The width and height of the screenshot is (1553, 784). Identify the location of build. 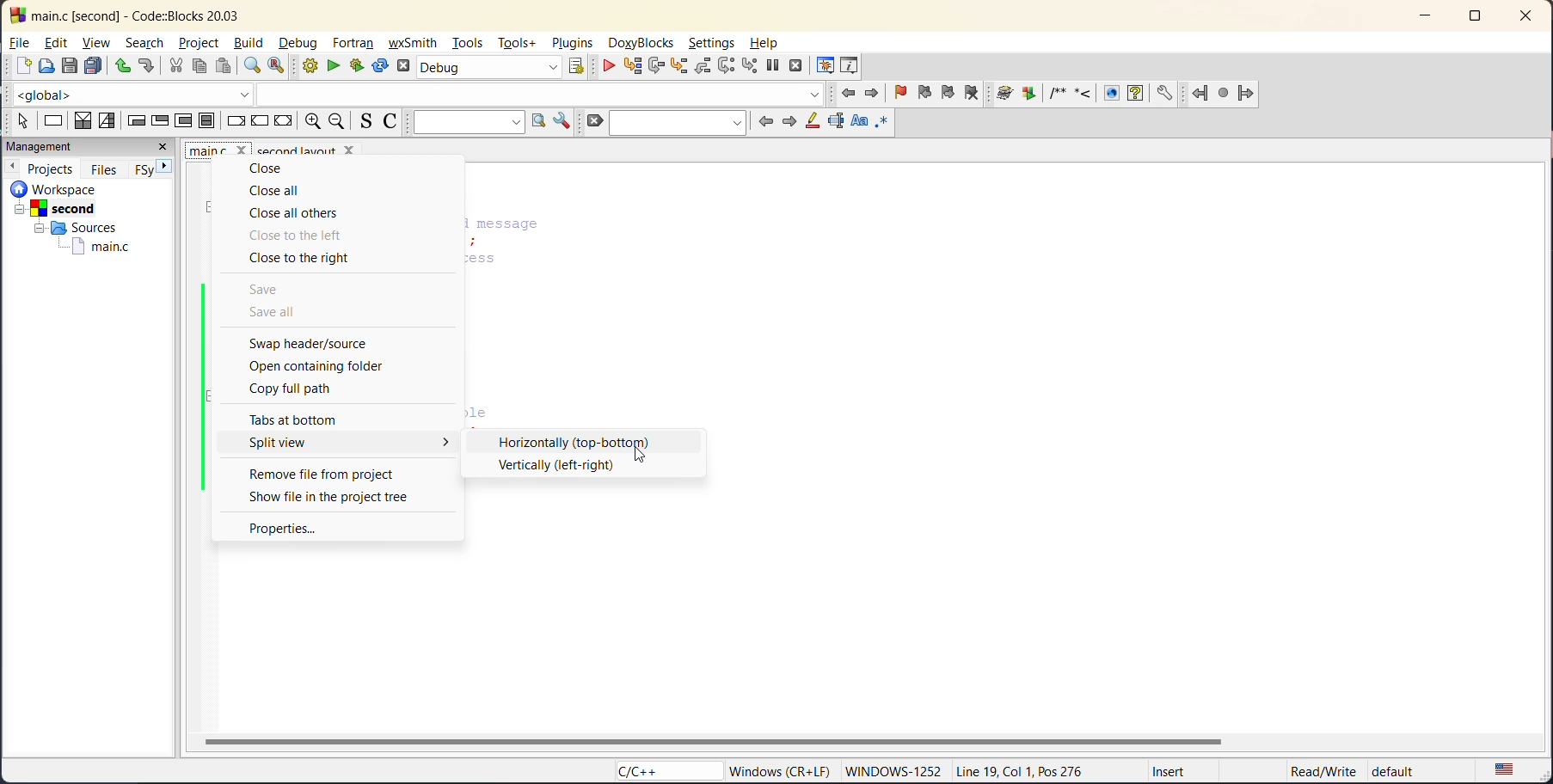
(305, 65).